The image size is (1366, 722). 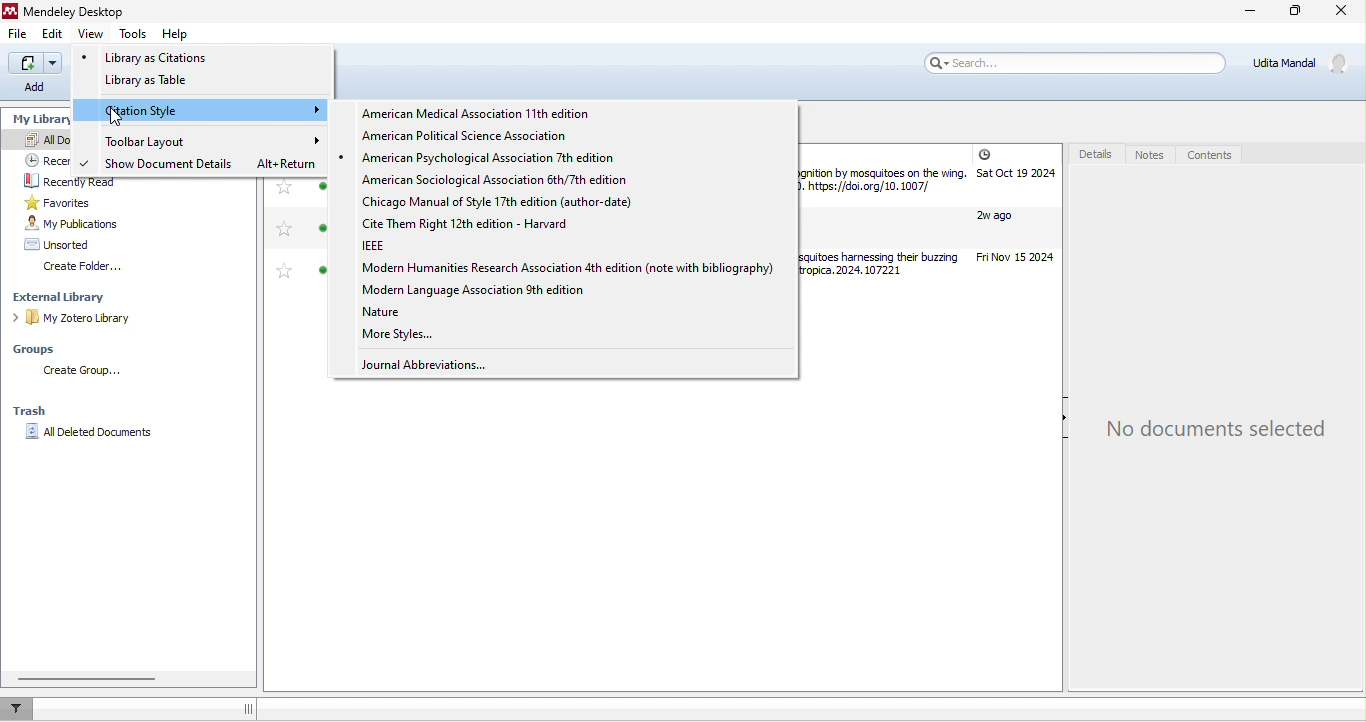 What do you see at coordinates (1151, 155) in the screenshot?
I see `notes` at bounding box center [1151, 155].